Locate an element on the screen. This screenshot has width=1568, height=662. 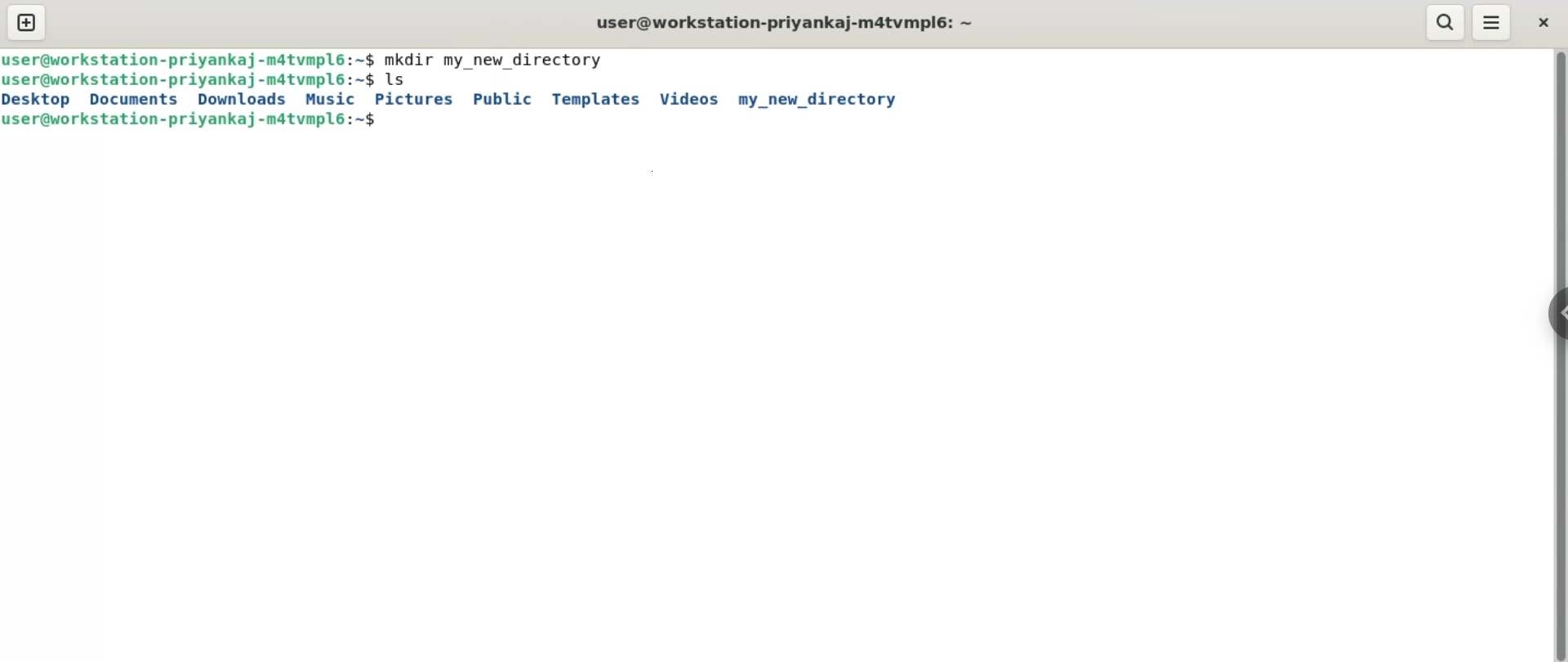
user@workstation-priyankaj-m4tvmpl6: ~  is located at coordinates (777, 23).